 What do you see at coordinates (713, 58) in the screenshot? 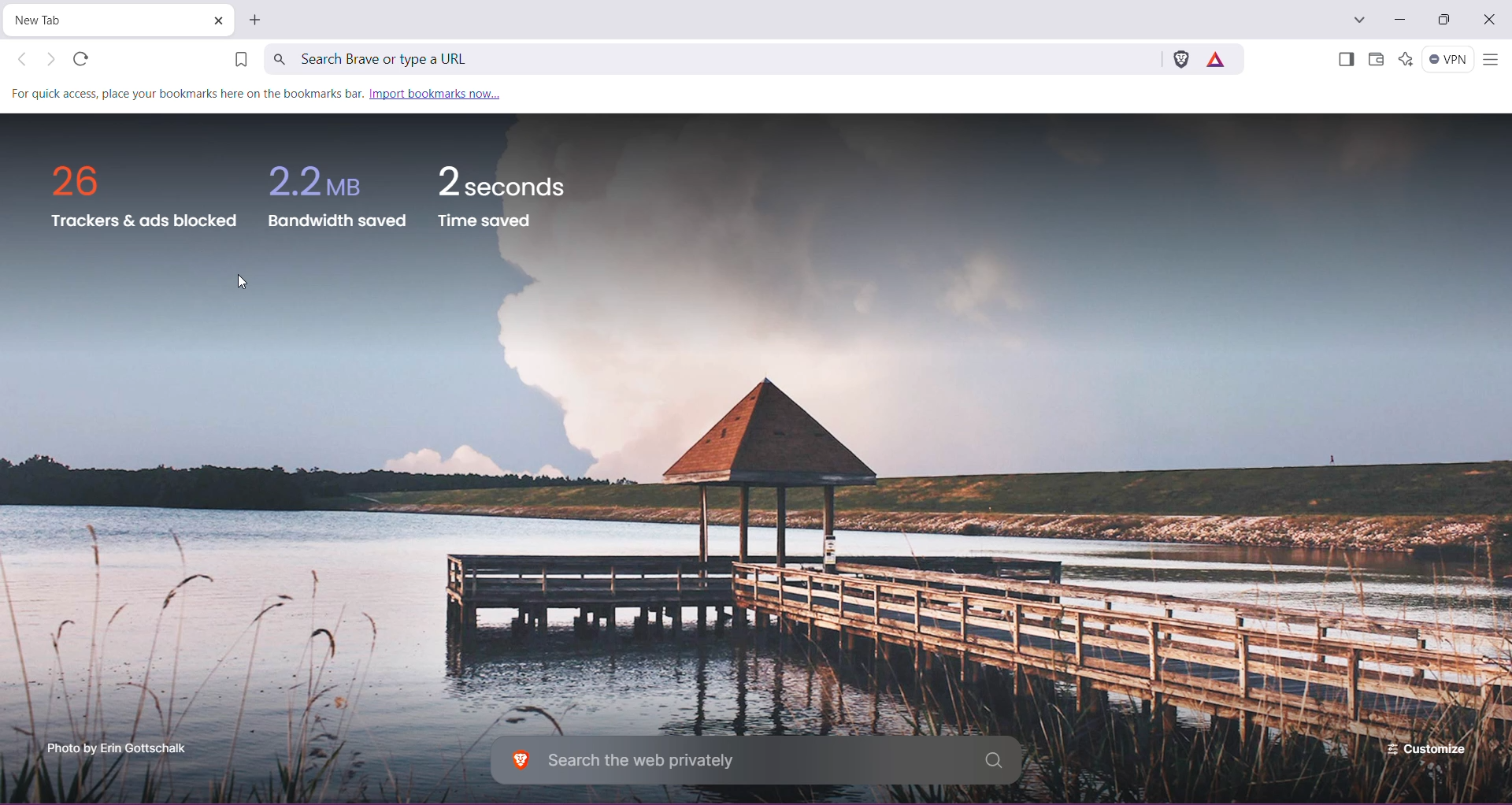
I see `Search Brave or type a URL` at bounding box center [713, 58].